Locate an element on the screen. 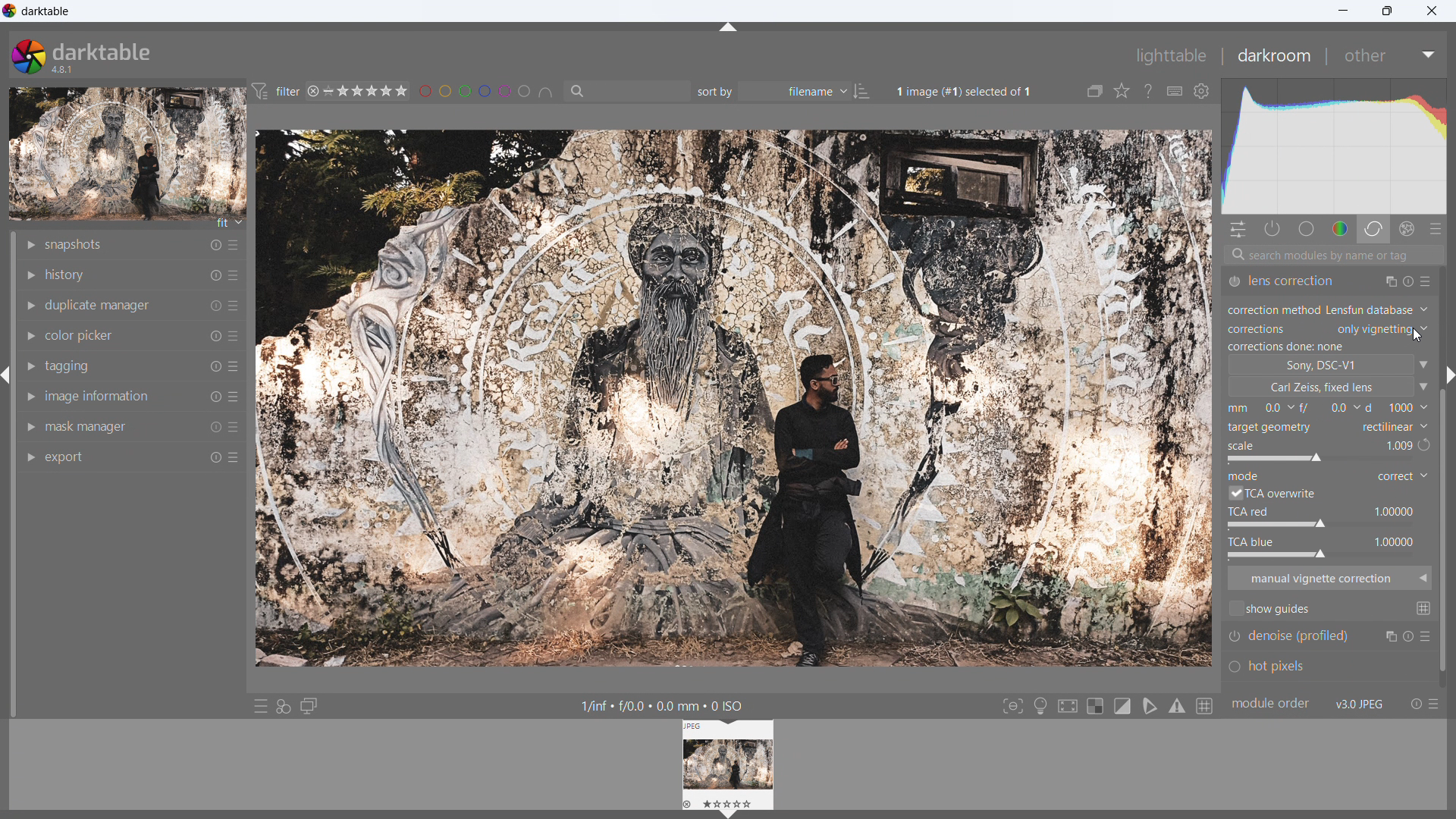 This screenshot has width=1456, height=819. base is located at coordinates (1307, 229).